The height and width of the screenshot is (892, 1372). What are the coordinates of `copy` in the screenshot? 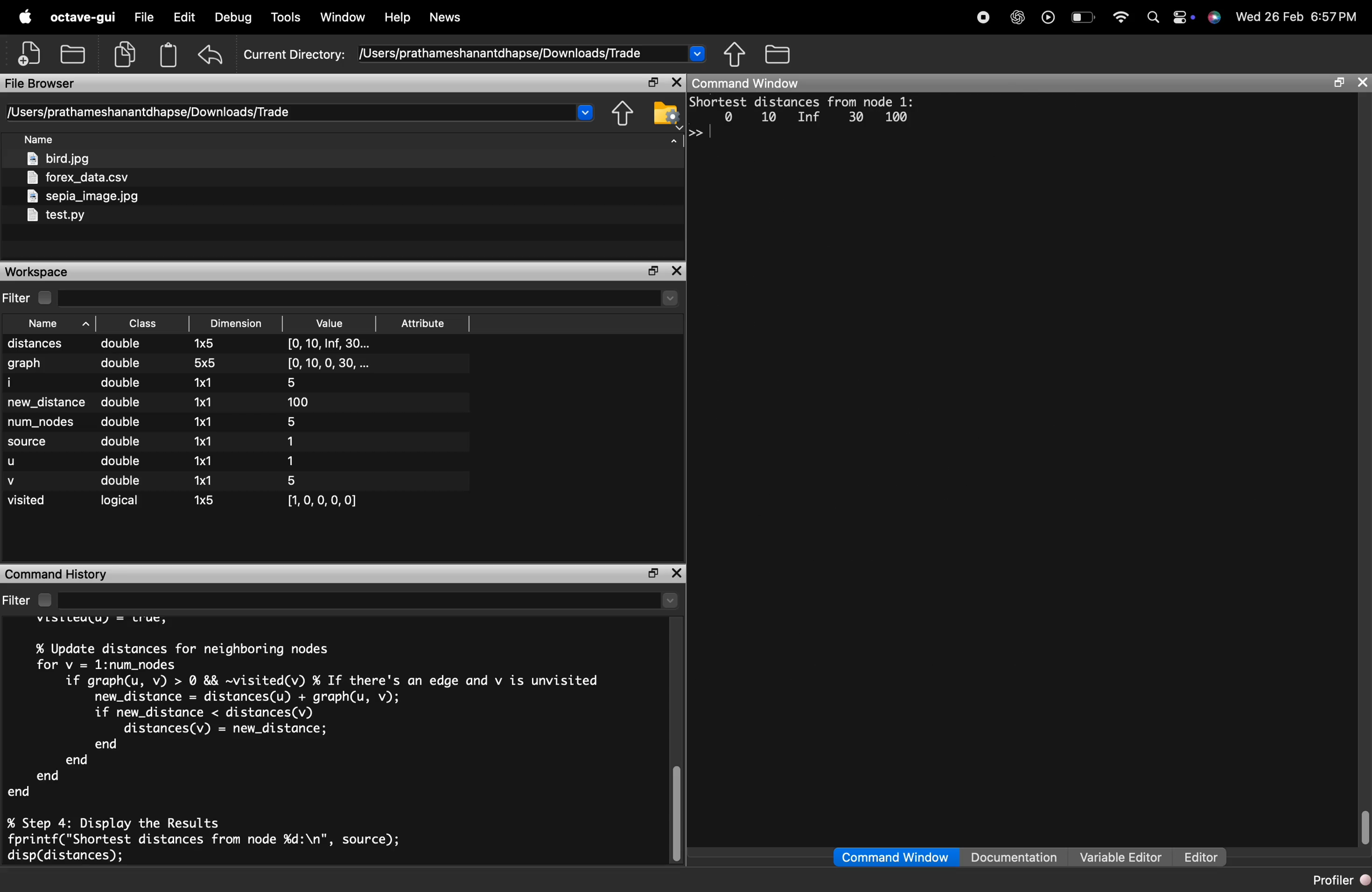 It's located at (124, 53).